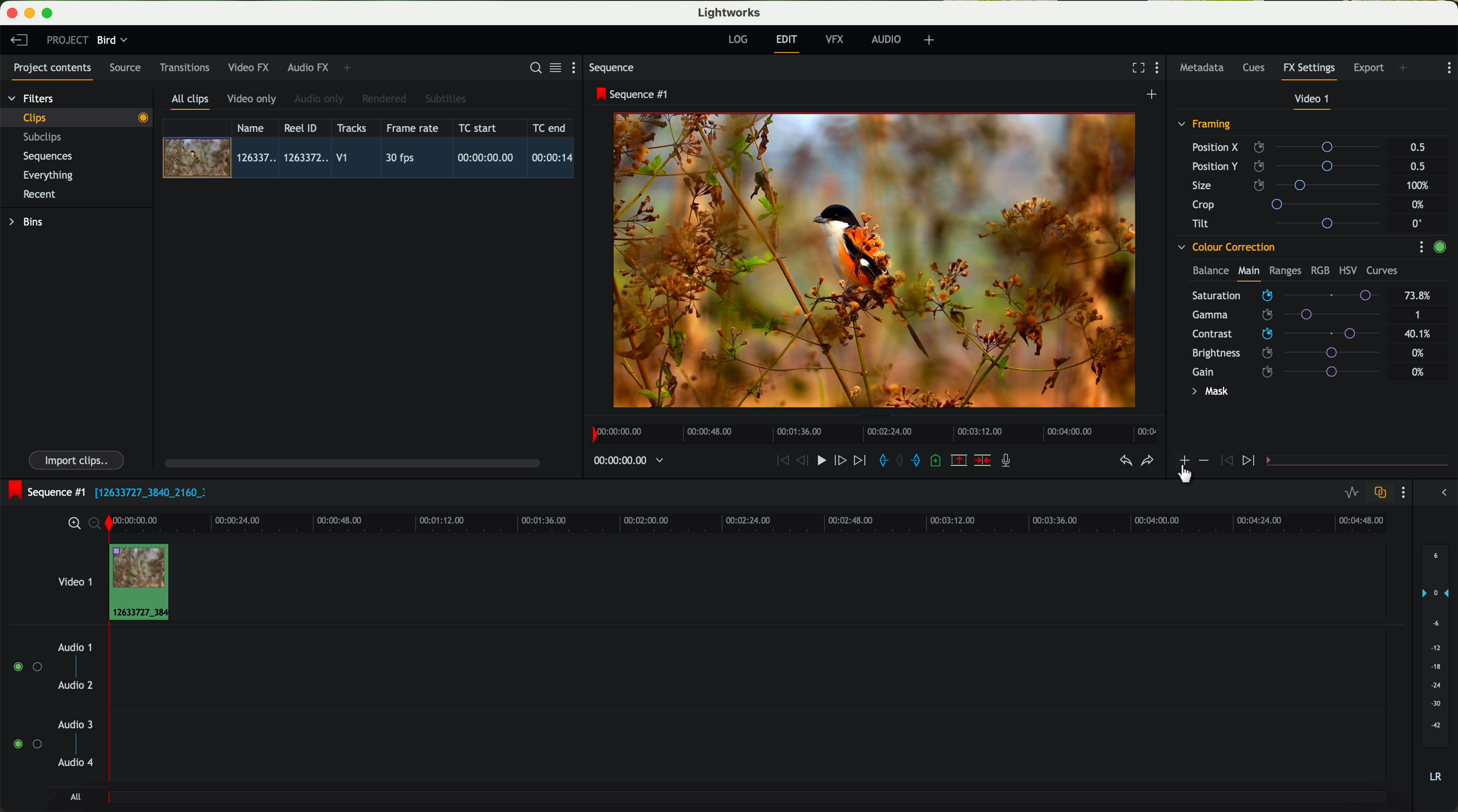  I want to click on audio only, so click(320, 99).